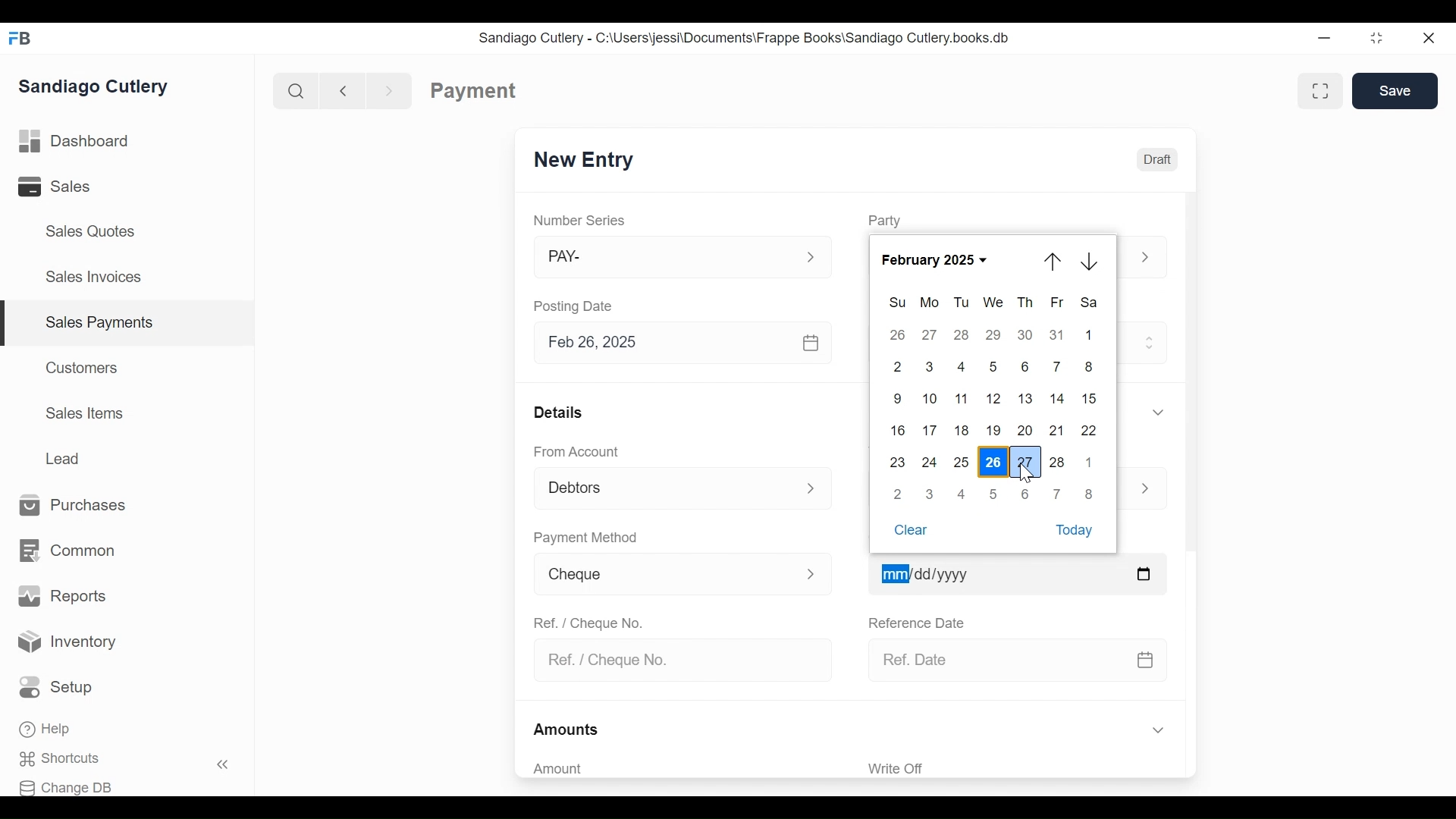 The height and width of the screenshot is (819, 1456). Describe the element at coordinates (915, 621) in the screenshot. I see `Reference Date` at that location.